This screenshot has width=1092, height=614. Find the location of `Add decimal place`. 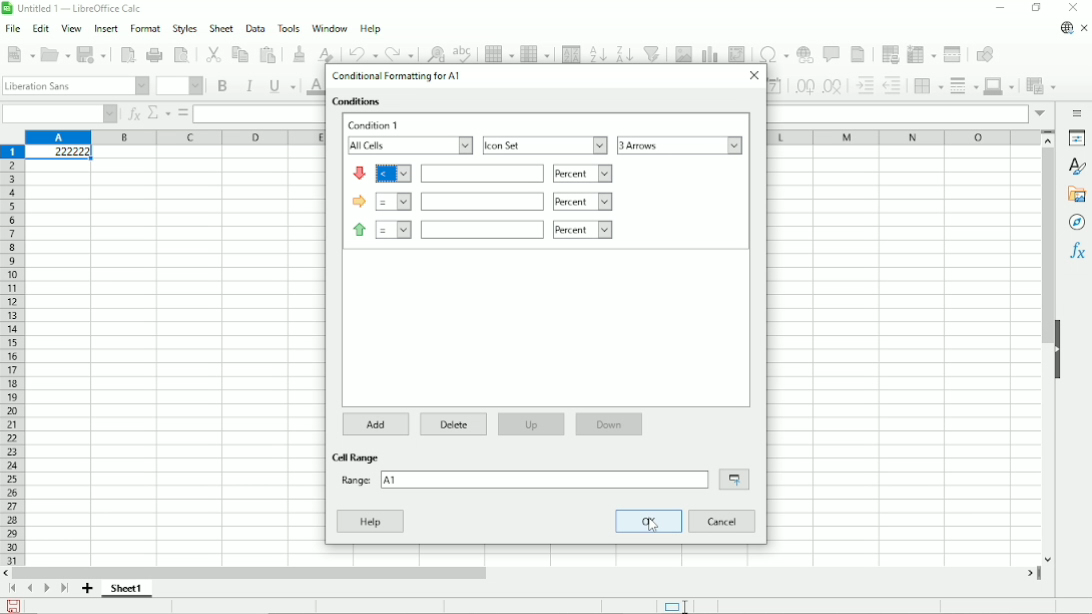

Add decimal place is located at coordinates (803, 87).